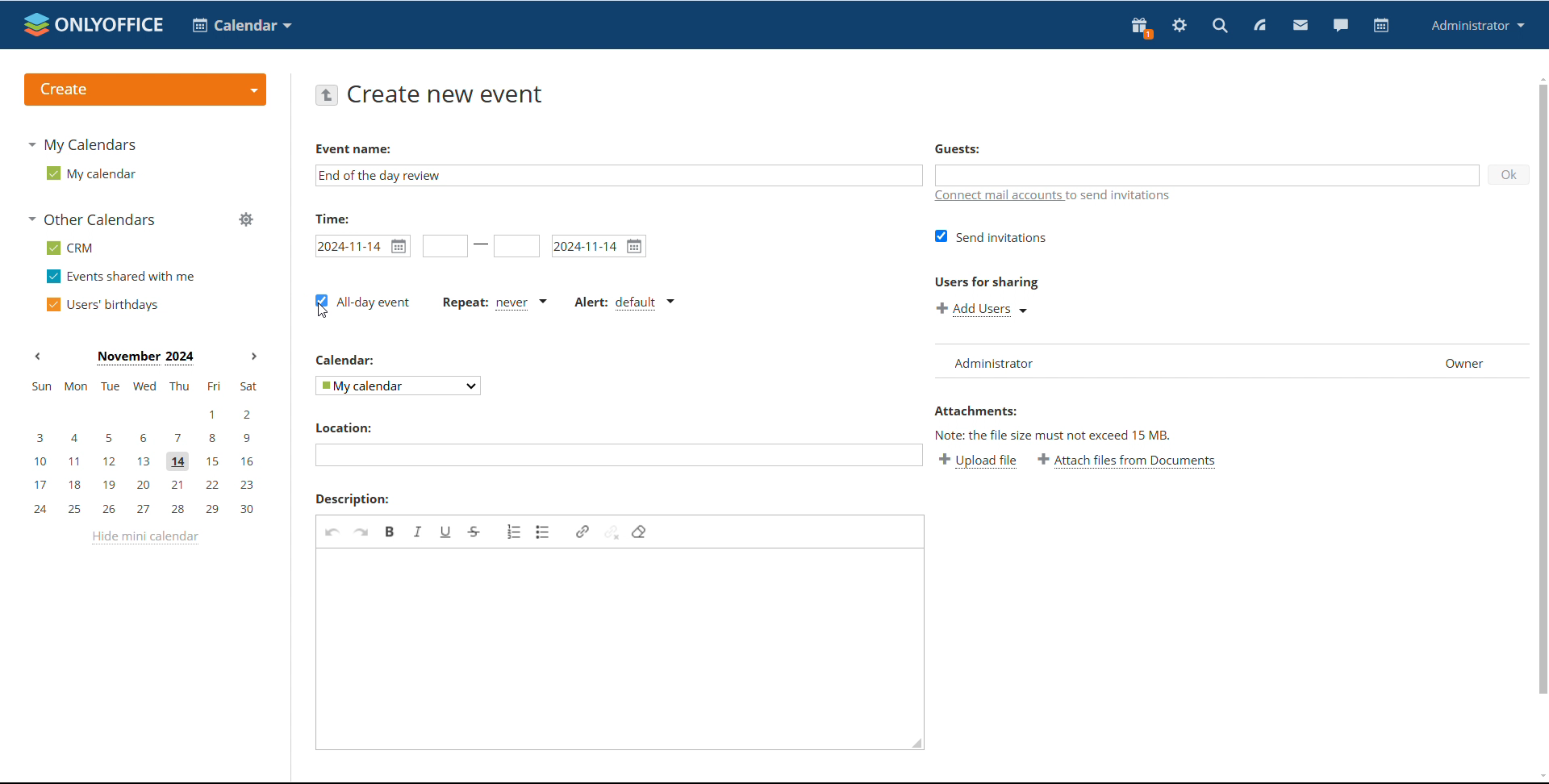 The width and height of the screenshot is (1549, 784). I want to click on Event name, so click(353, 149).